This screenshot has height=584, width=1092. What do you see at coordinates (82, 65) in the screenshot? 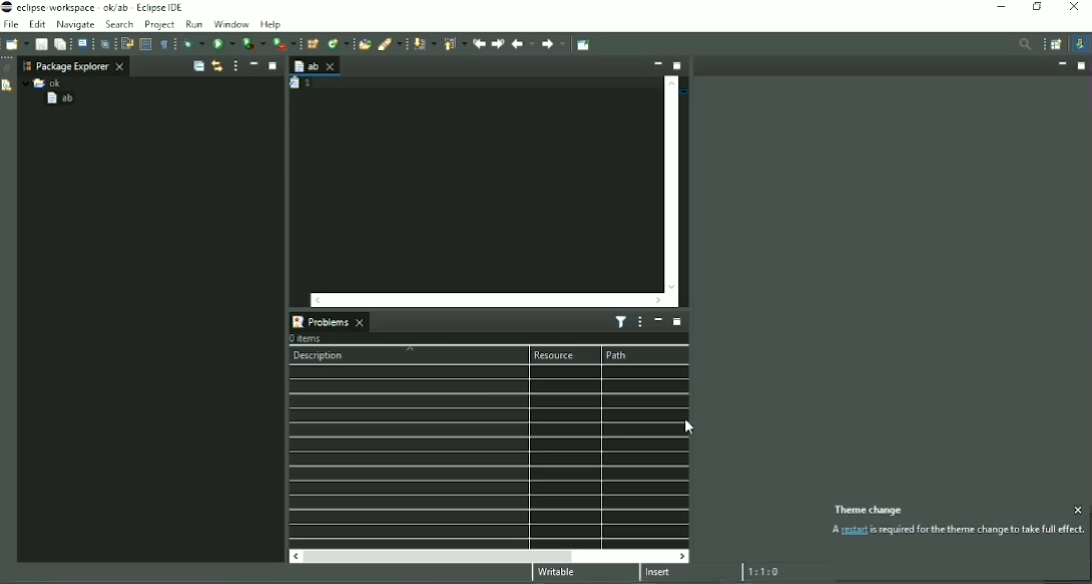
I see `Package Explorer` at bounding box center [82, 65].